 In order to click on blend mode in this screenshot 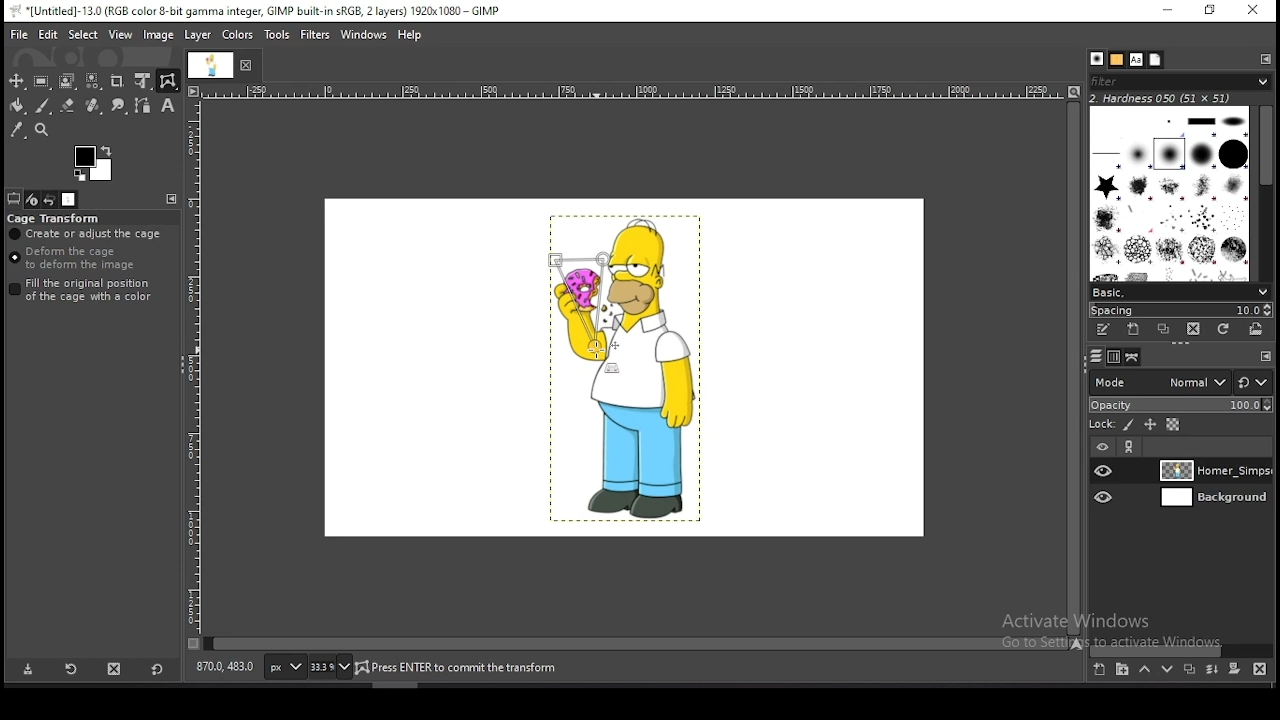, I will do `click(1155, 381)`.